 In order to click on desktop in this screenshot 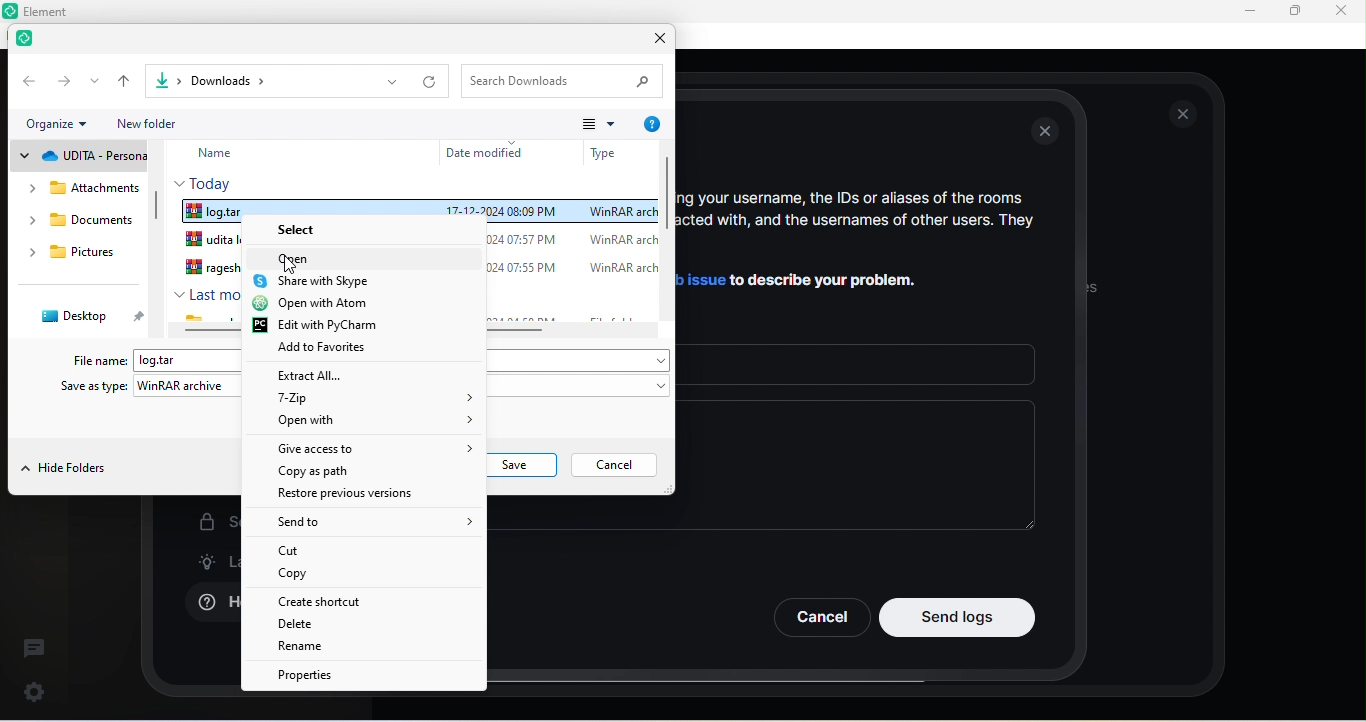, I will do `click(86, 316)`.